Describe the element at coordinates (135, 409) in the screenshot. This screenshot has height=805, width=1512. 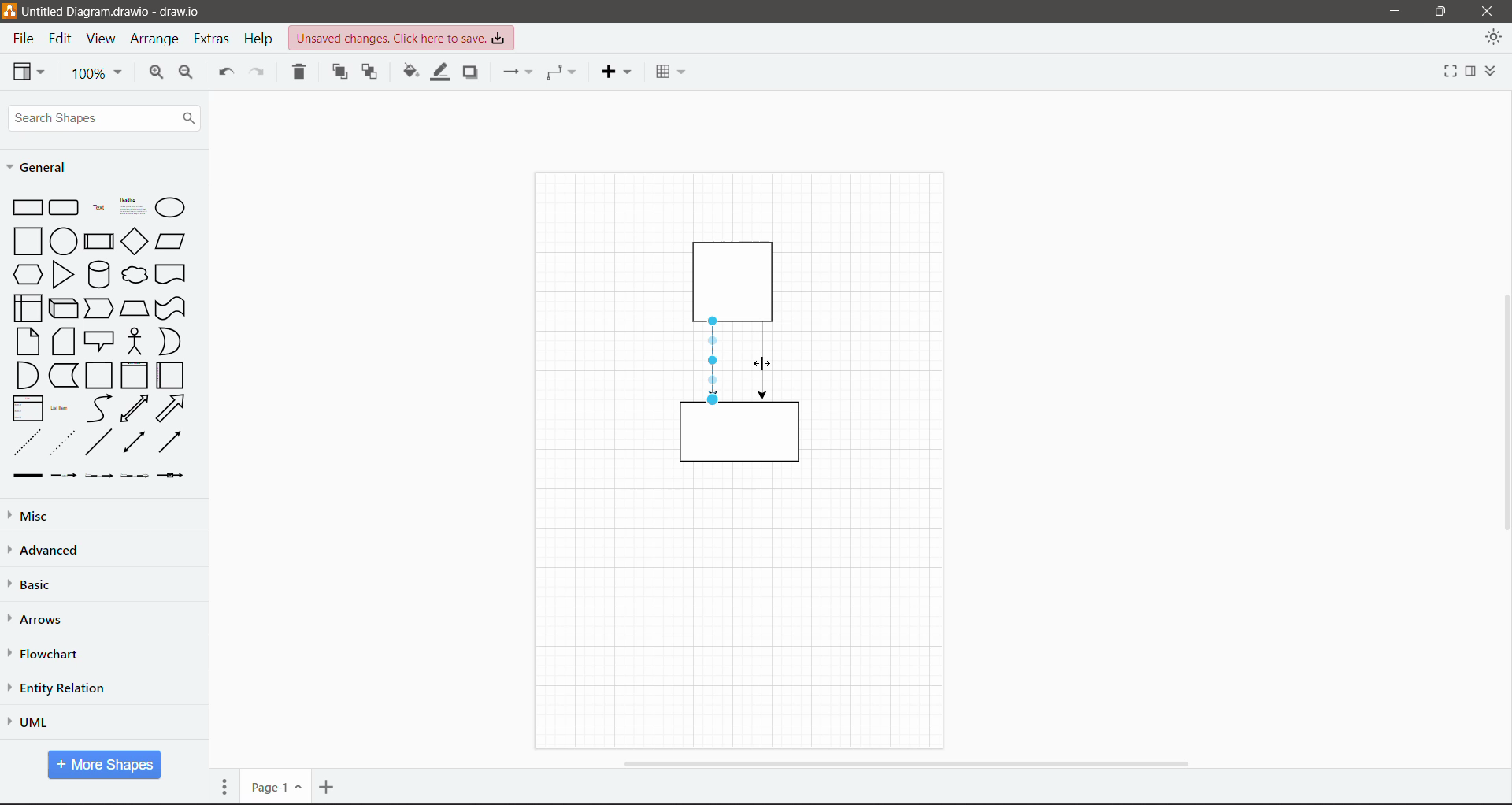
I see `bidirectional arrow` at that location.